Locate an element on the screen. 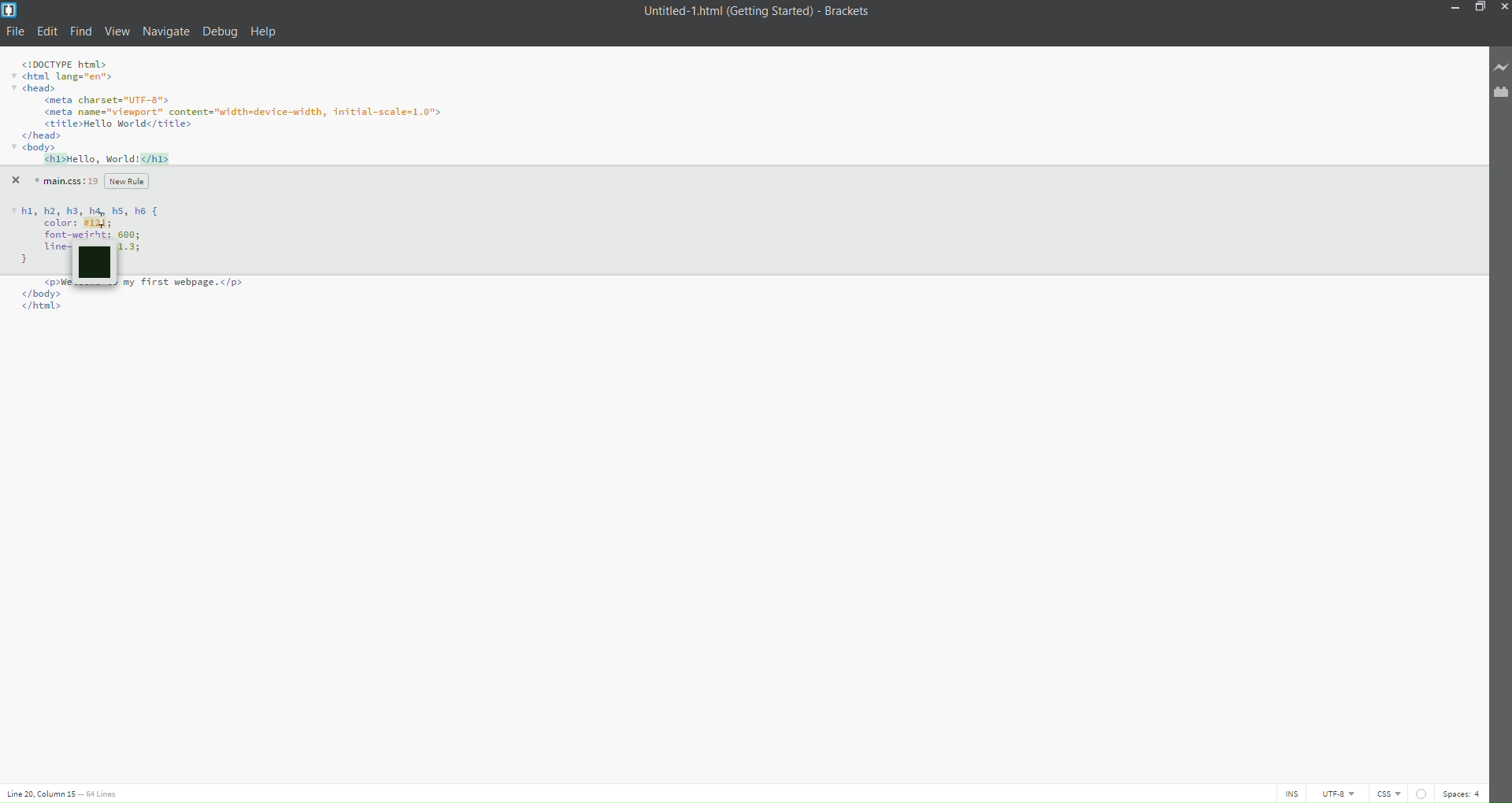 This screenshot has width=1512, height=803. ins is located at coordinates (1285, 794).